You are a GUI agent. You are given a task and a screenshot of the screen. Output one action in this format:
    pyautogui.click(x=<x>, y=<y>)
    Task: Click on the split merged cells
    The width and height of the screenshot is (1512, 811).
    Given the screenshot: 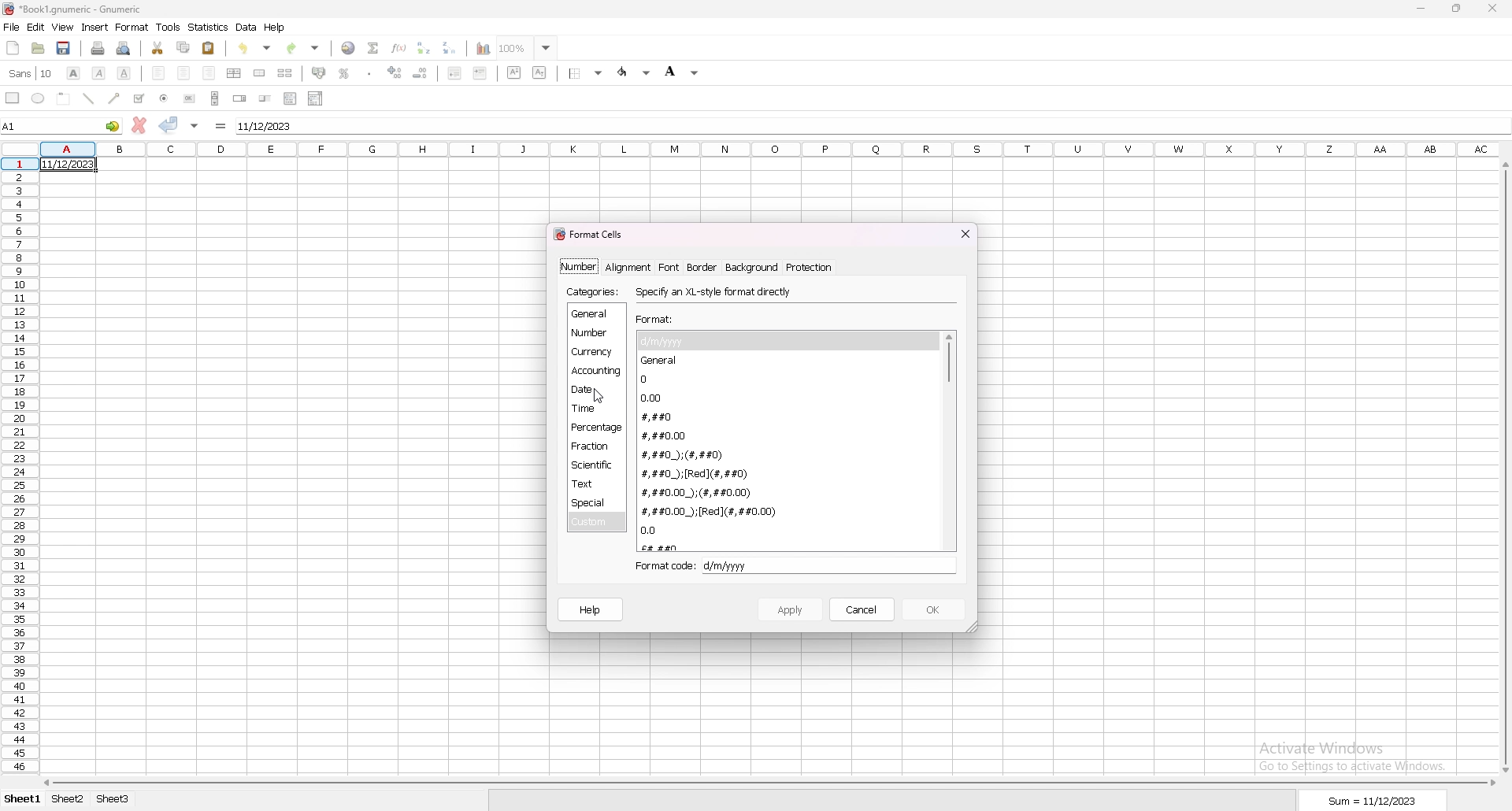 What is the action you would take?
    pyautogui.click(x=287, y=73)
    